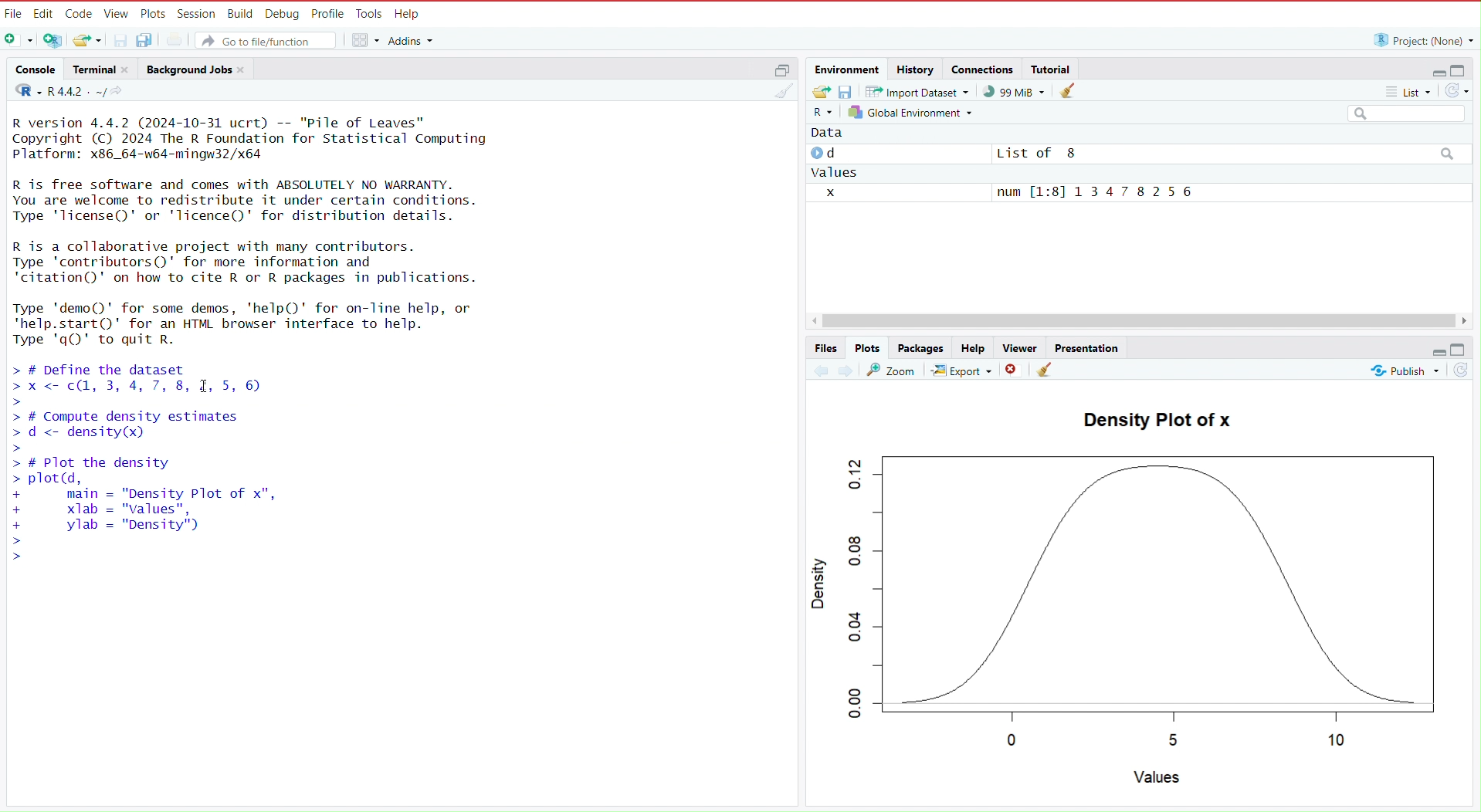 This screenshot has width=1481, height=812. What do you see at coordinates (1143, 600) in the screenshot?
I see `graph` at bounding box center [1143, 600].